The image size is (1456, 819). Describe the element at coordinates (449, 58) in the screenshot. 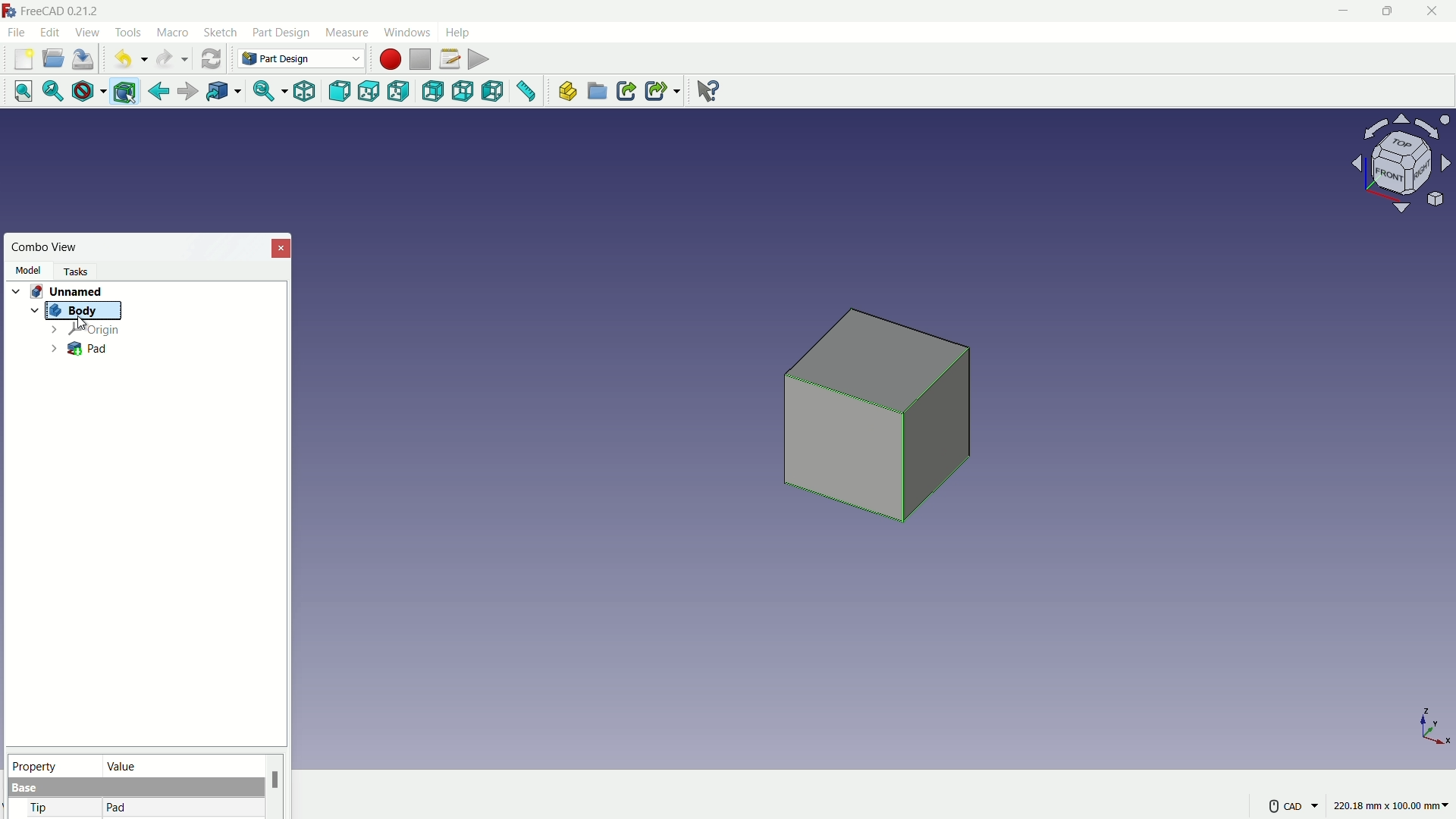

I see `macros` at that location.